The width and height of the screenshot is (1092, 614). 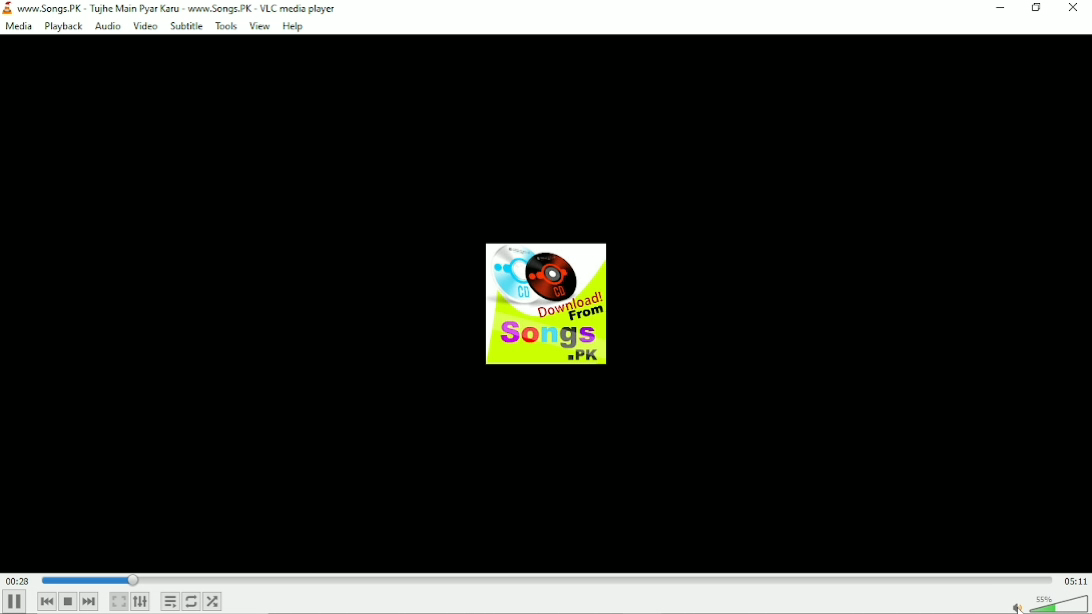 I want to click on Media, so click(x=19, y=25).